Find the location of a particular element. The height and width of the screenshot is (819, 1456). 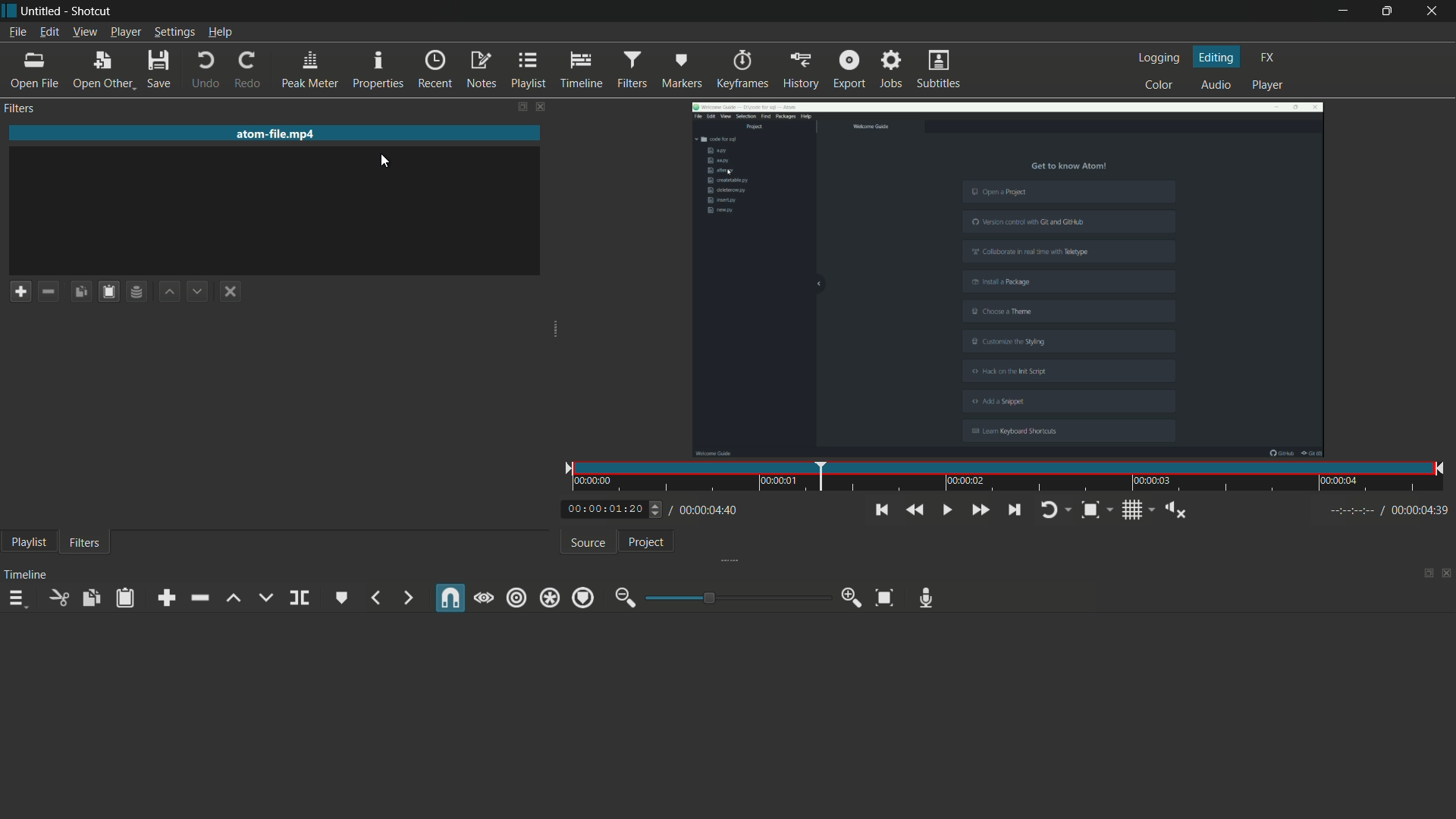

save is located at coordinates (159, 68).